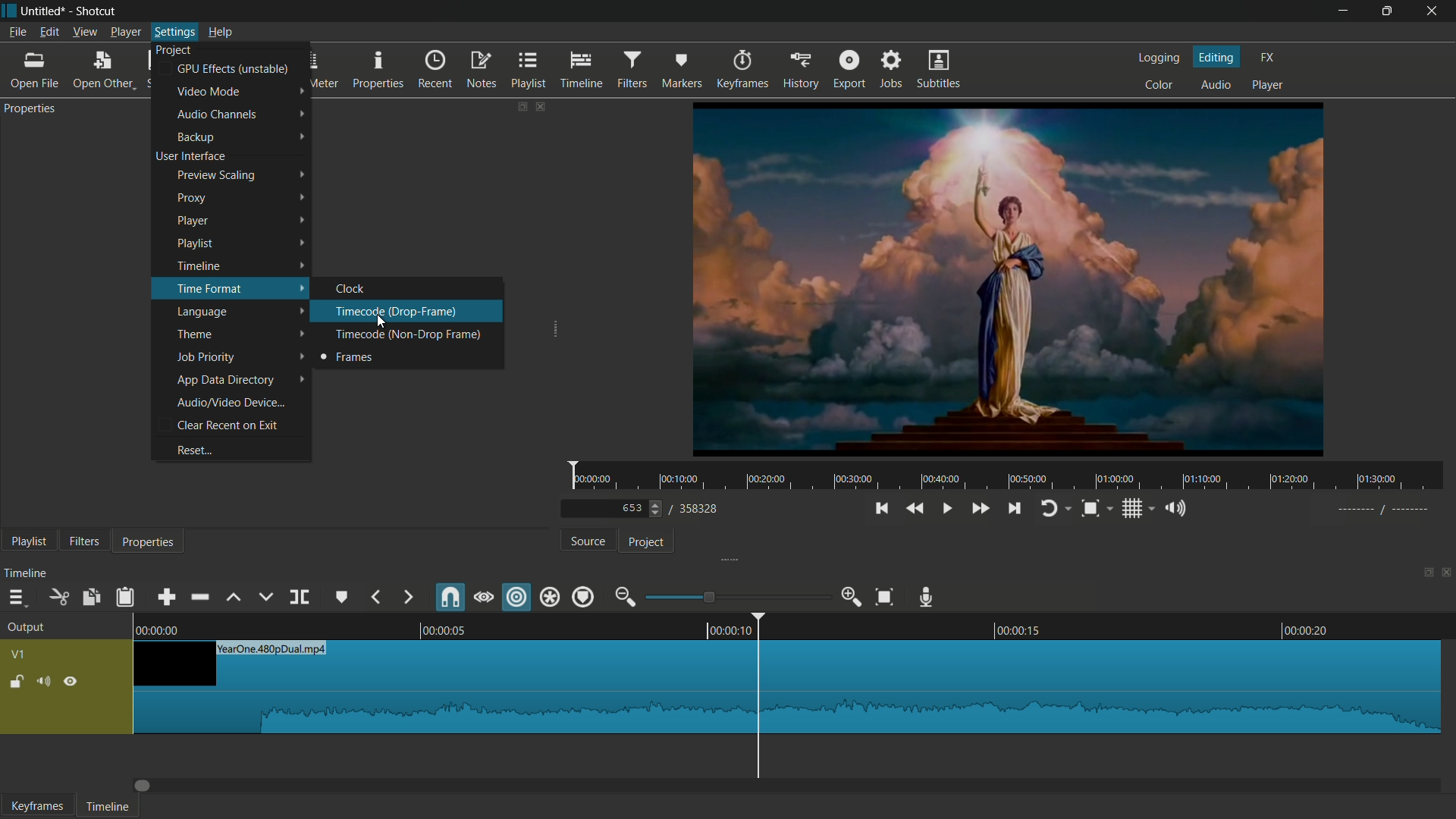 This screenshot has width=1456, height=819. I want to click on 0.00.00, so click(157, 629).